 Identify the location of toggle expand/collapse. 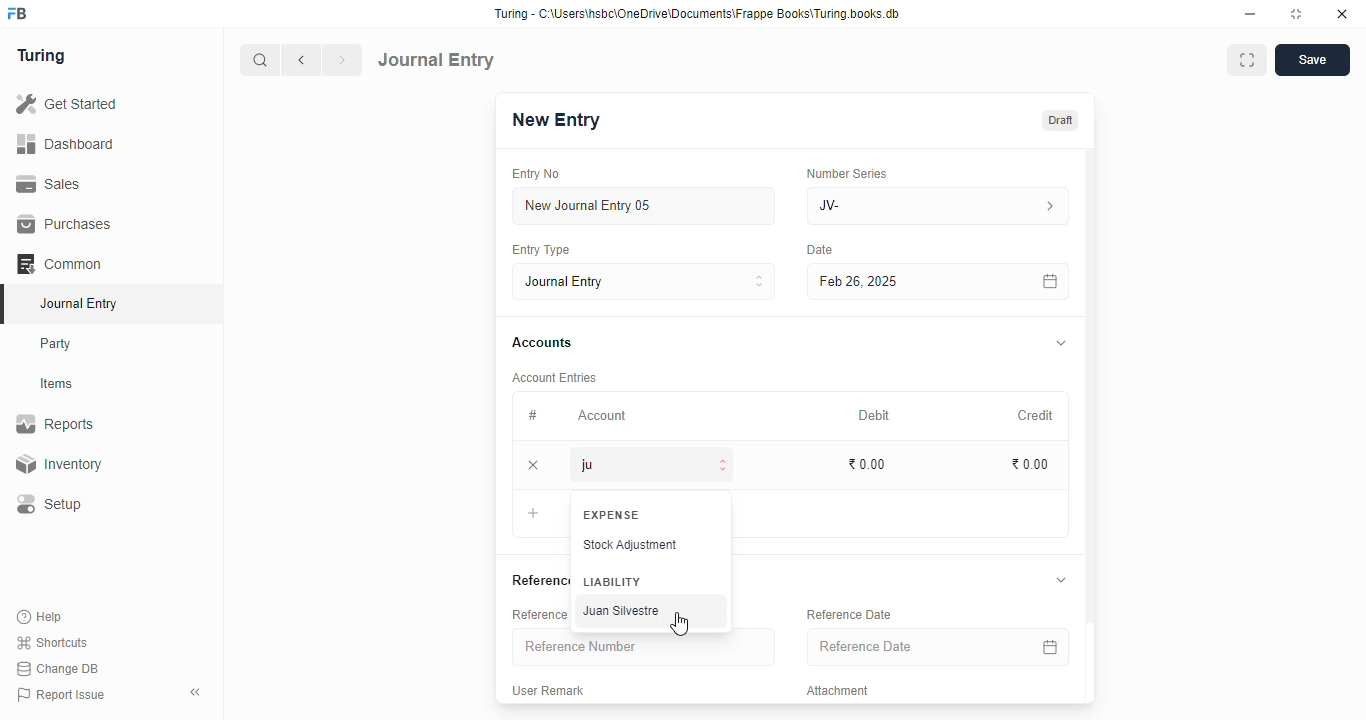
(1061, 580).